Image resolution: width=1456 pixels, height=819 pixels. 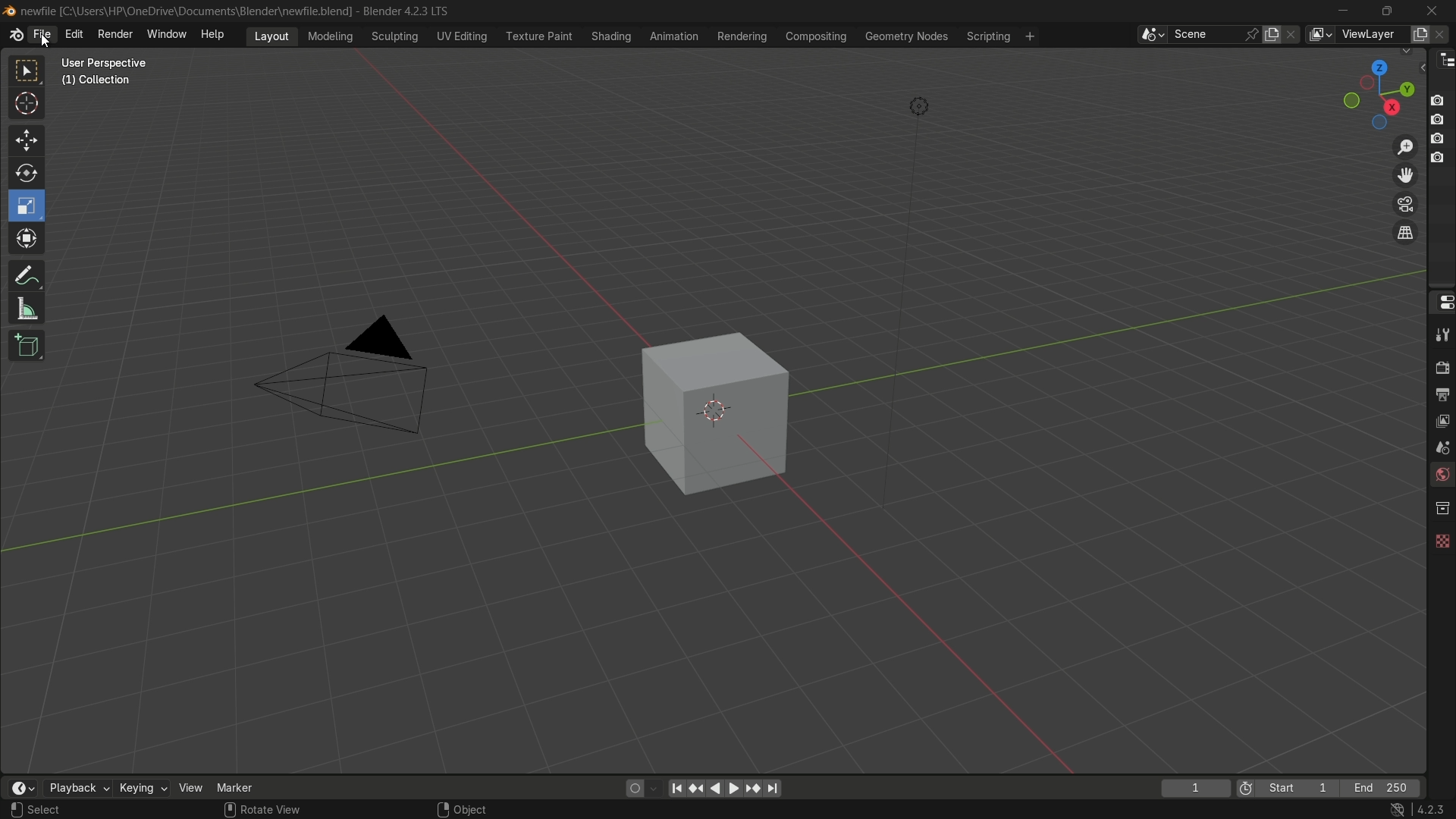 I want to click on annotate, so click(x=26, y=274).